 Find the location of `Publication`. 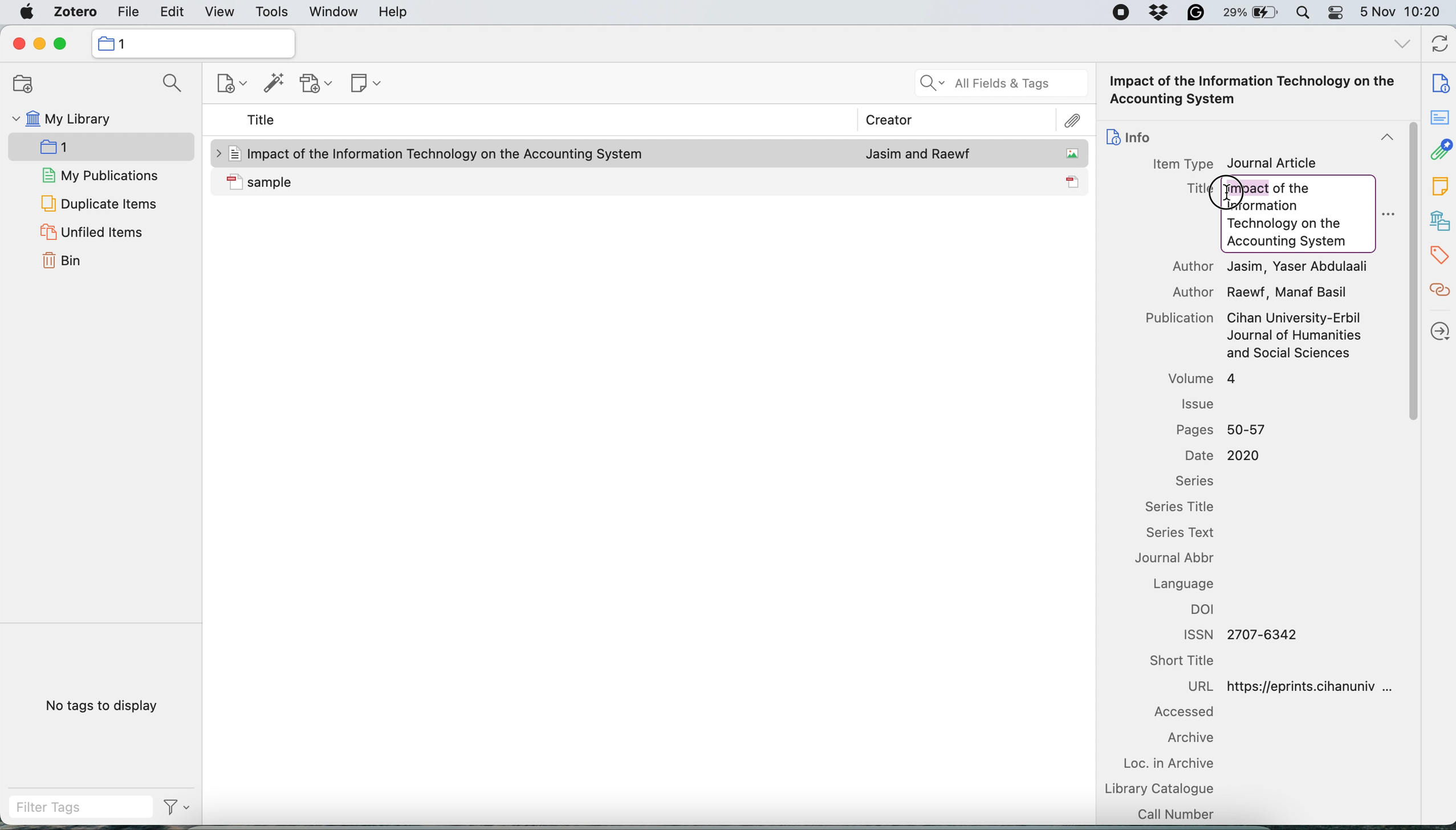

Publication is located at coordinates (1181, 318).